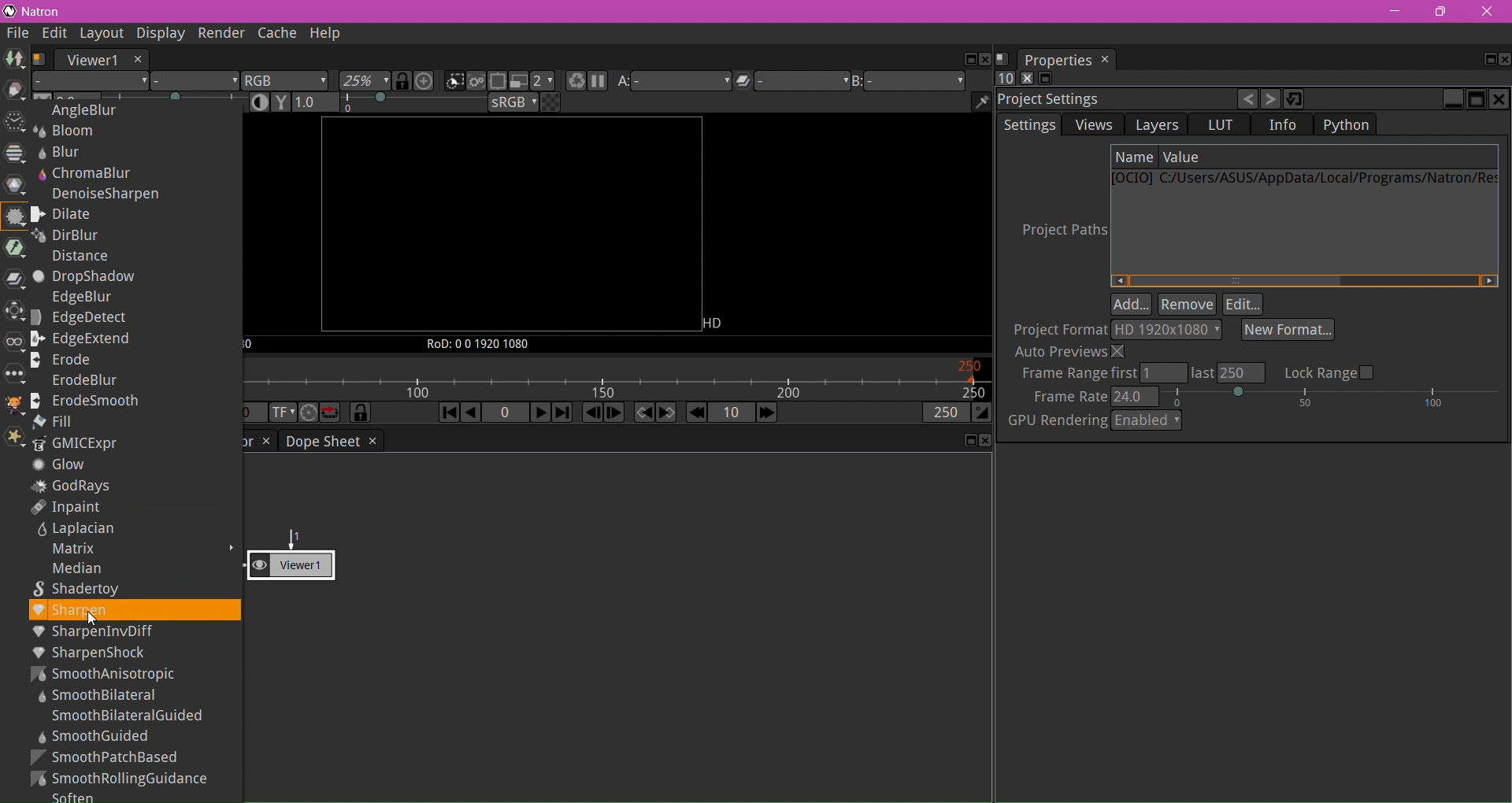 The width and height of the screenshot is (1512, 803). What do you see at coordinates (71, 569) in the screenshot?
I see `Median` at bounding box center [71, 569].